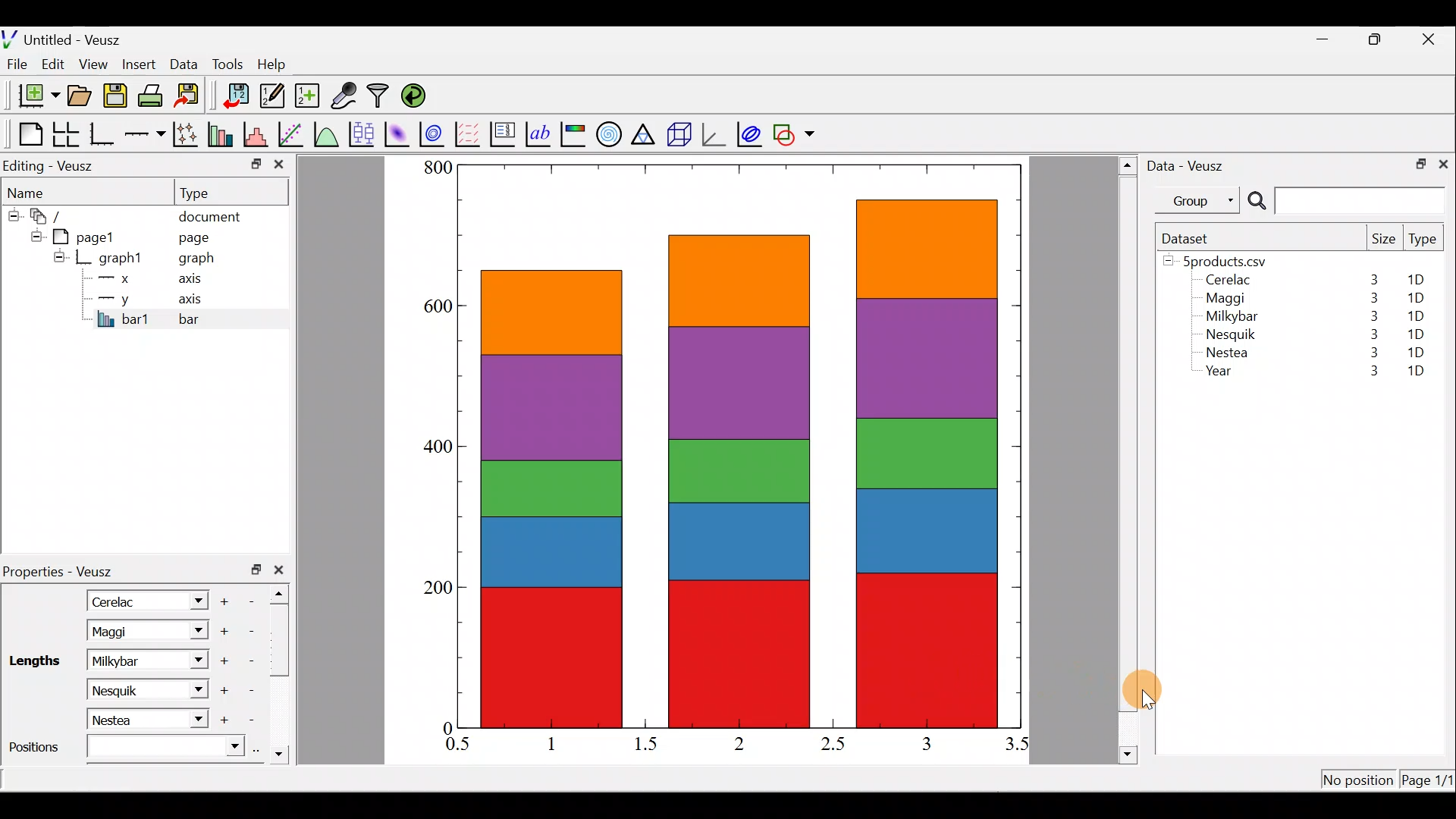  Describe the element at coordinates (1373, 279) in the screenshot. I see `3` at that location.